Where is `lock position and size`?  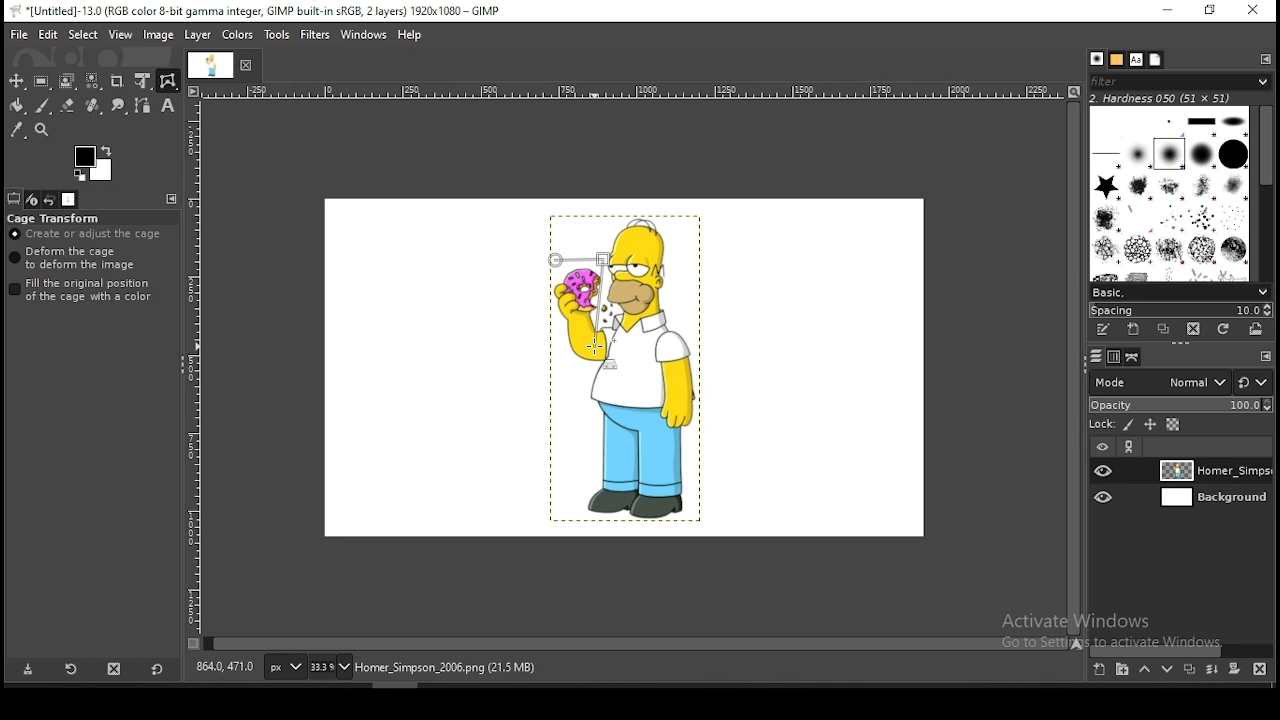
lock position and size is located at coordinates (1149, 425).